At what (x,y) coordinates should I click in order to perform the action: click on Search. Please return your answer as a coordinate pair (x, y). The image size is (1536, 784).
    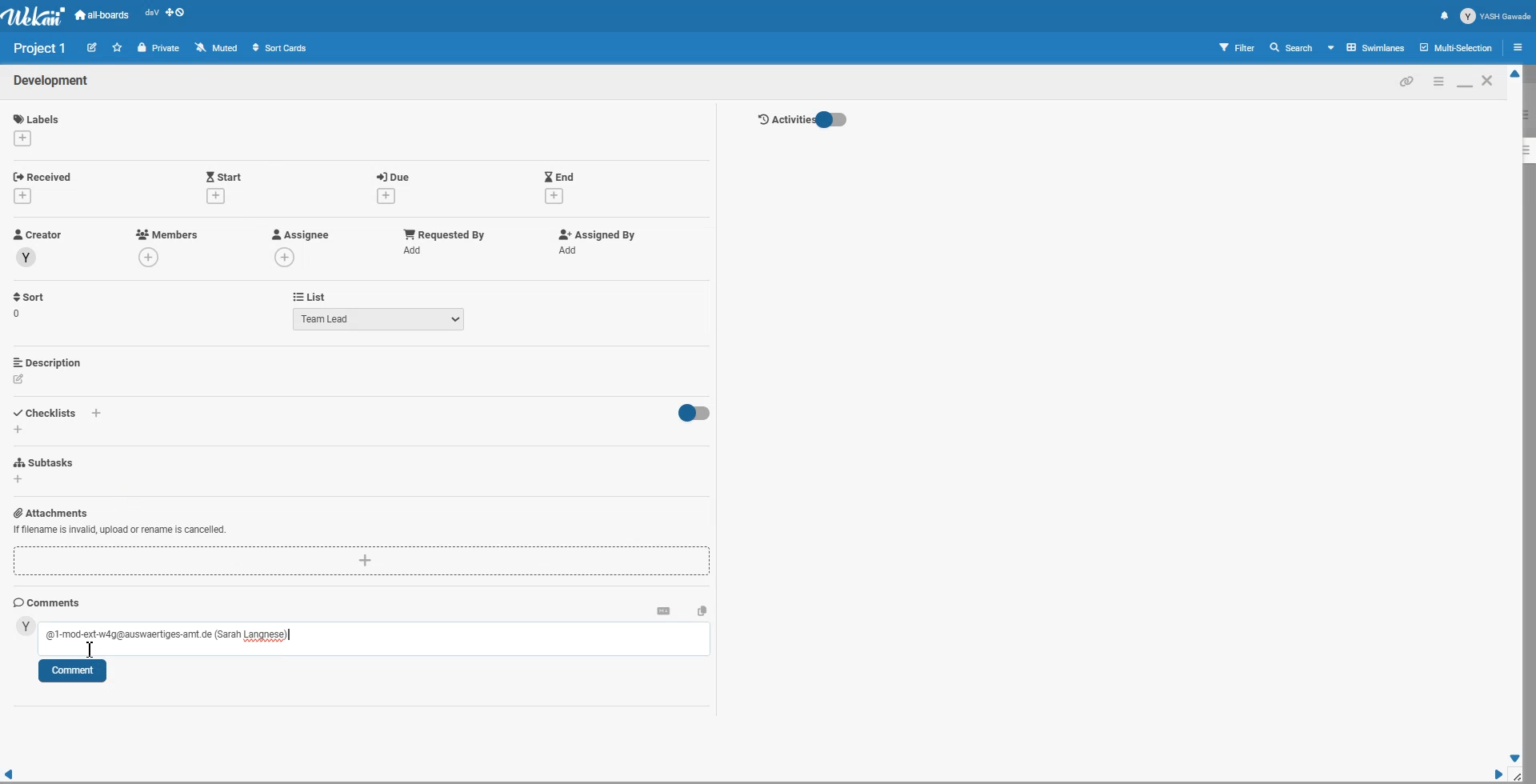
    Looking at the image, I should click on (1292, 47).